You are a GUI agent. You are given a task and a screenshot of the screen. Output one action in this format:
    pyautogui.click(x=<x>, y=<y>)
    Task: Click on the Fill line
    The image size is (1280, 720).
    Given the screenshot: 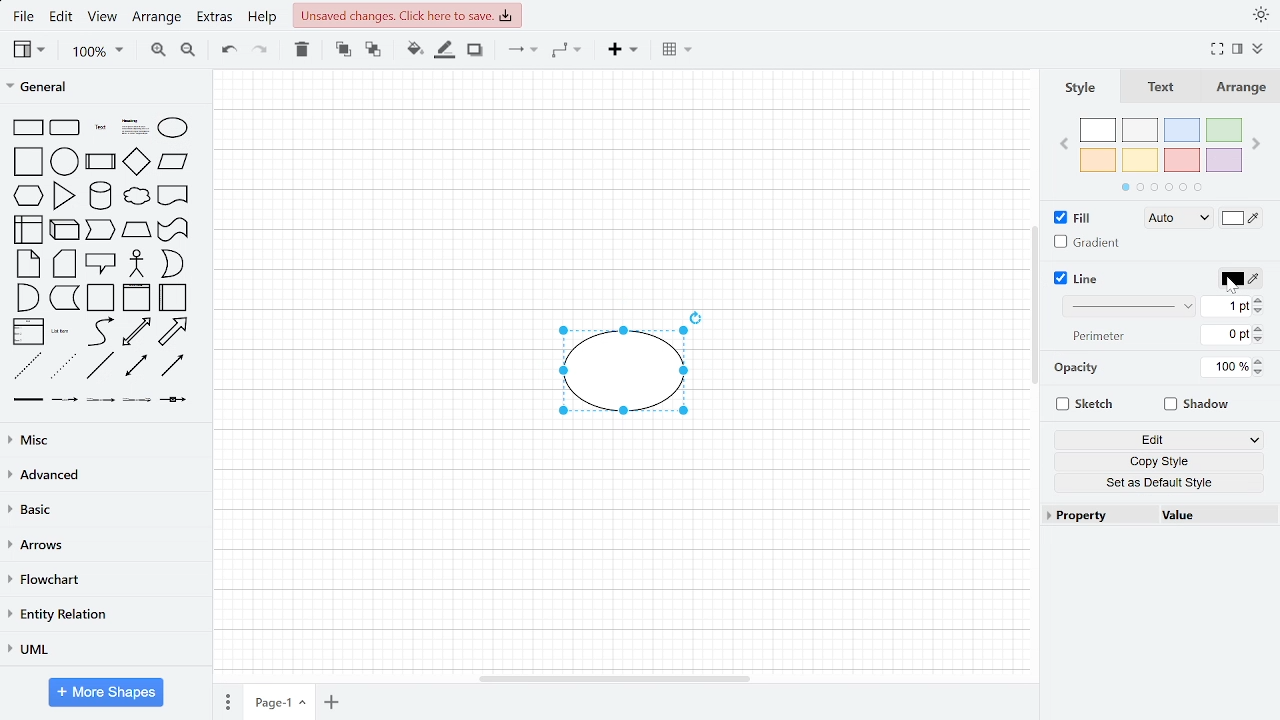 What is the action you would take?
    pyautogui.click(x=445, y=52)
    